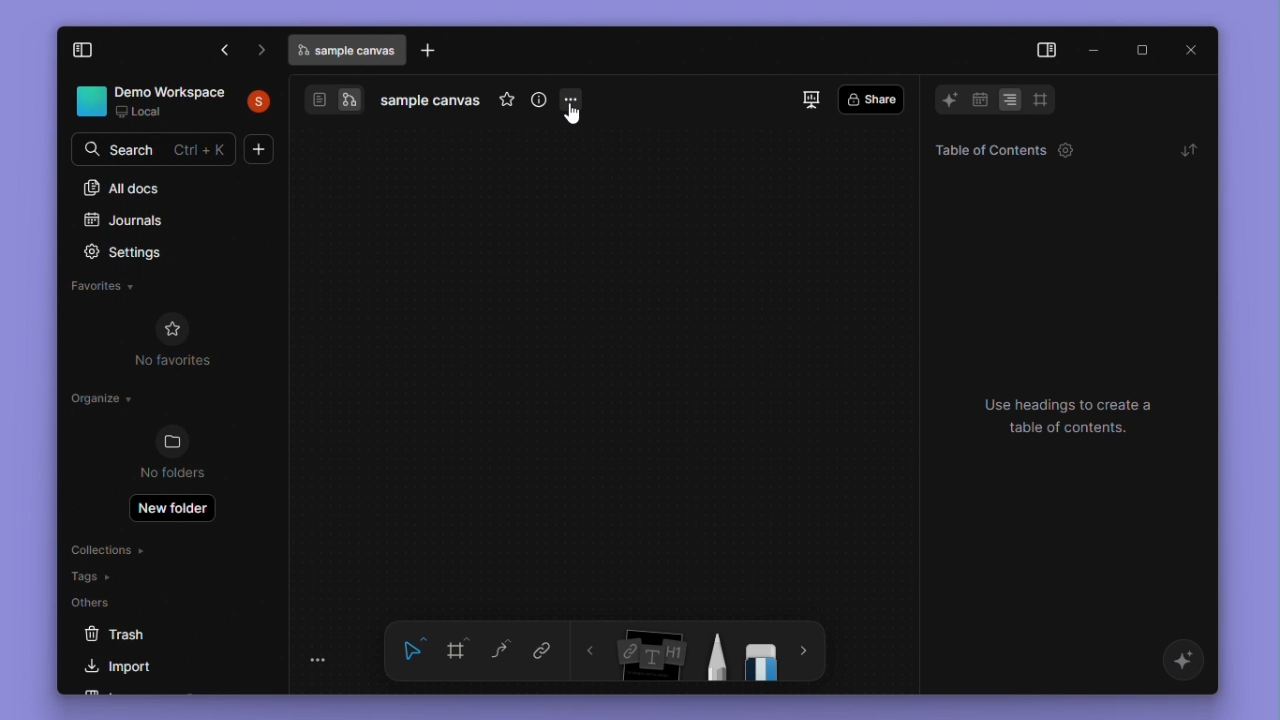 This screenshot has height=720, width=1280. I want to click on Favourite, so click(106, 286).